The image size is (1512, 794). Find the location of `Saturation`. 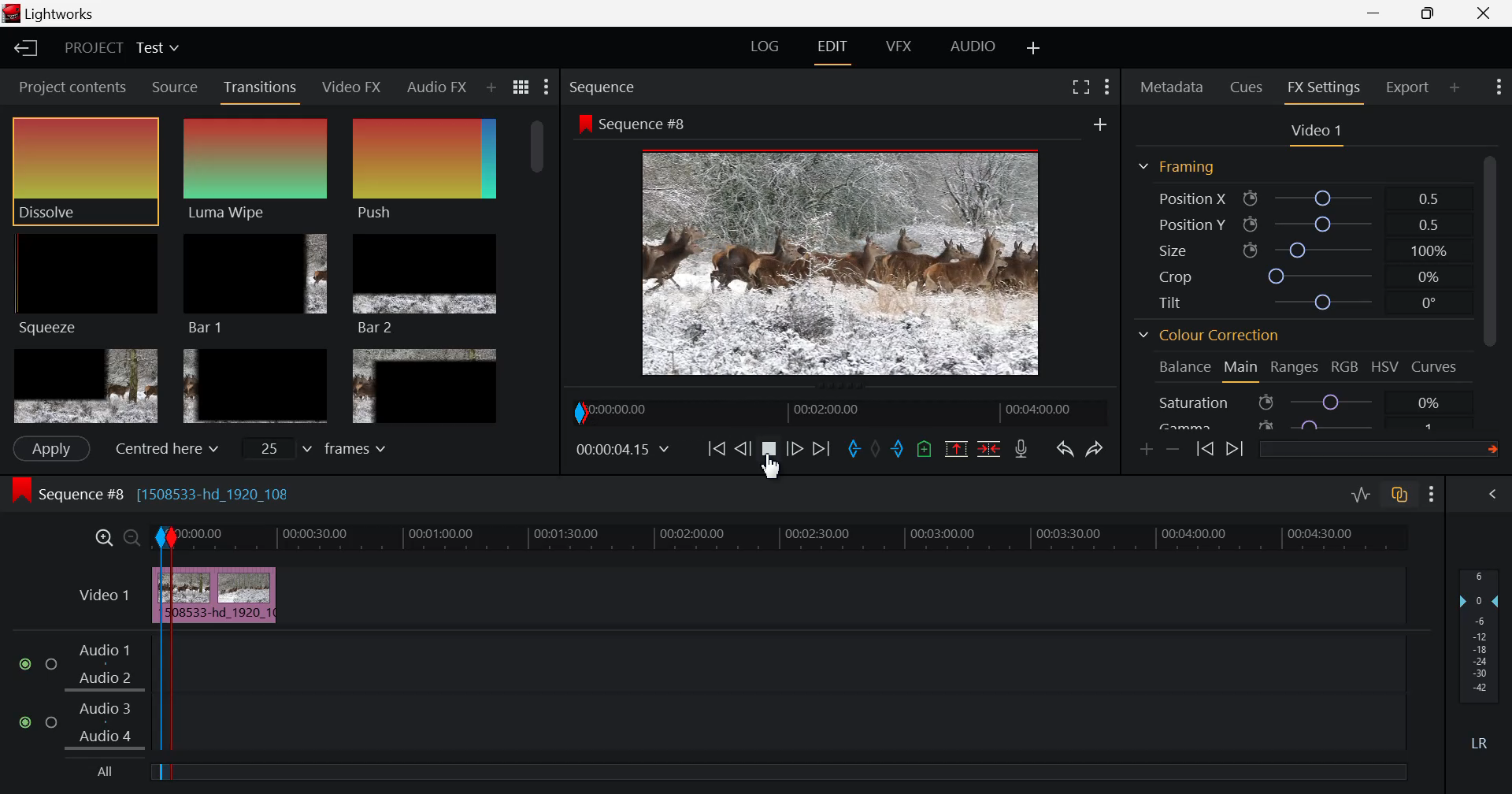

Saturation is located at coordinates (1303, 402).